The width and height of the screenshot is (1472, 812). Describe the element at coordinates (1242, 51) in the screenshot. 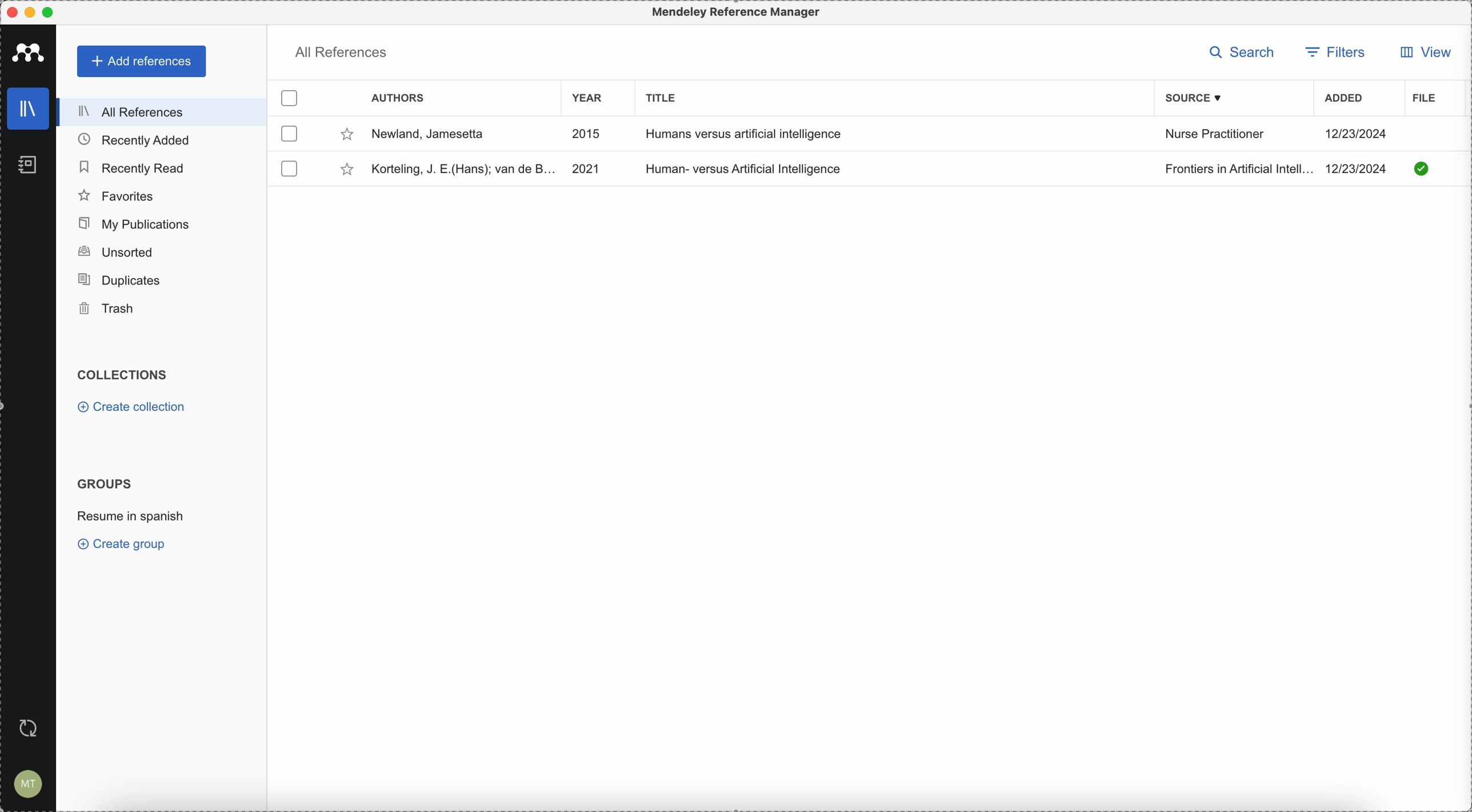

I see `search` at that location.